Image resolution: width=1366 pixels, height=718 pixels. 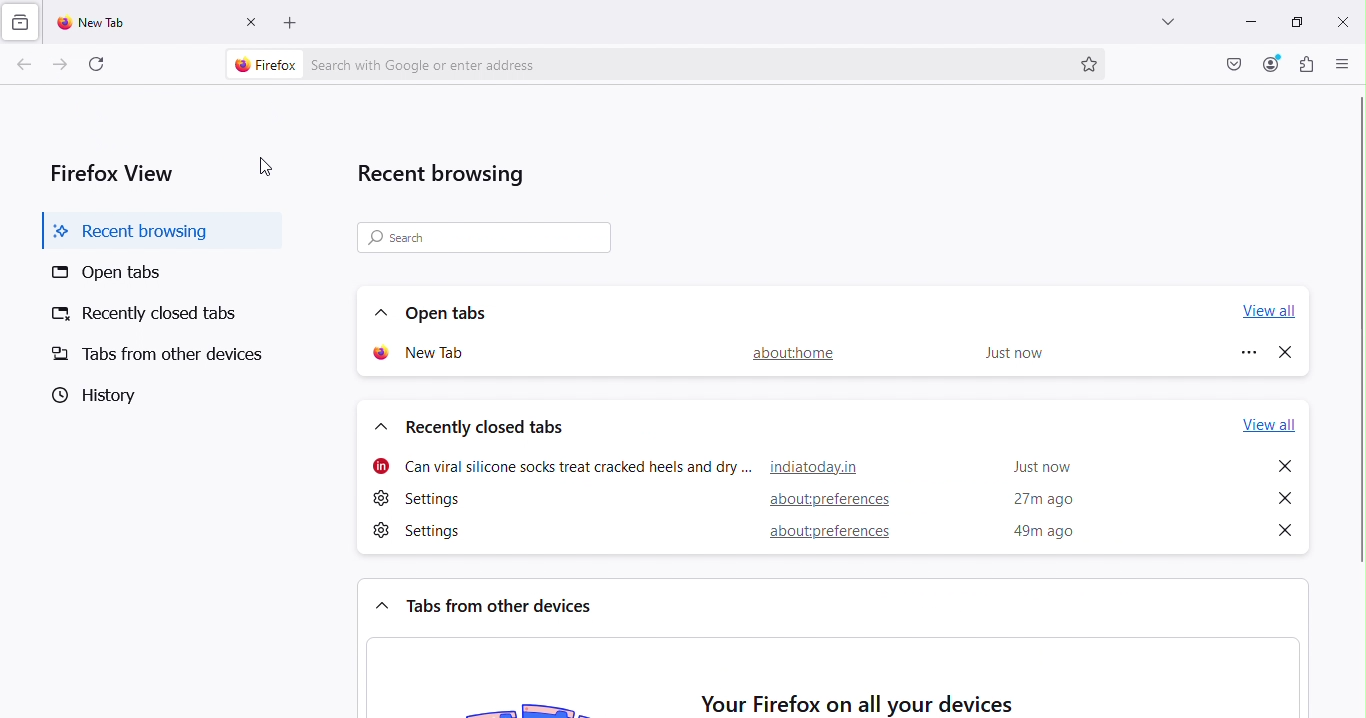 I want to click on Tabs from other devices, so click(x=149, y=357).